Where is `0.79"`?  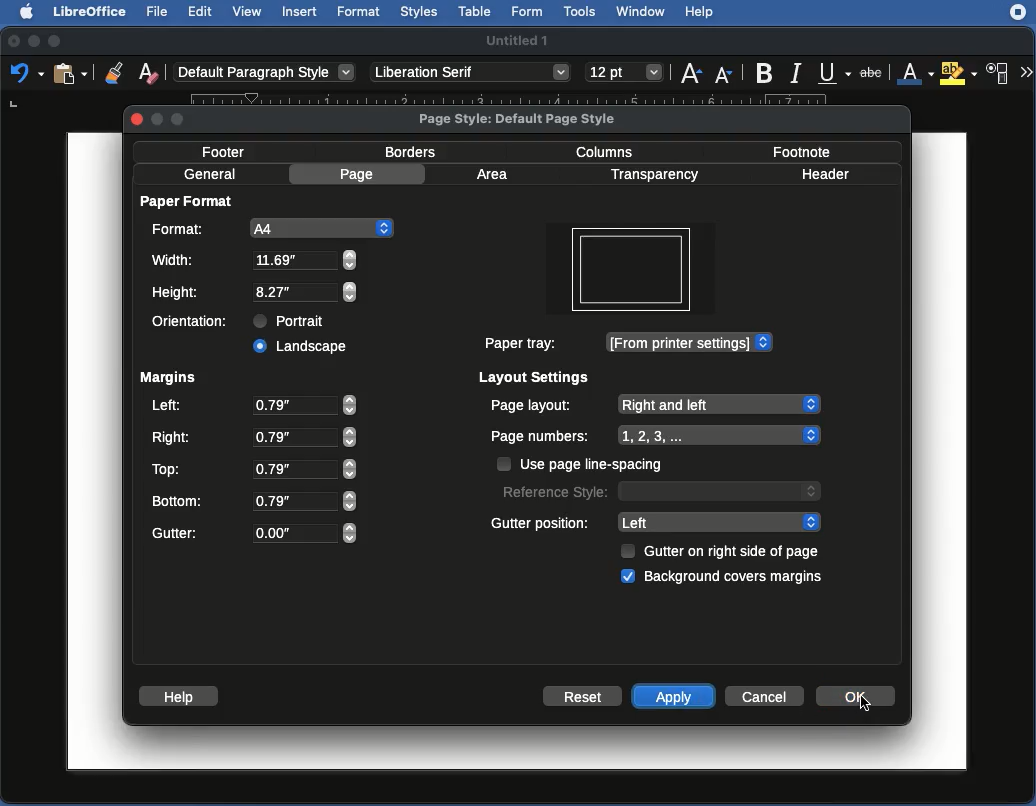 0.79" is located at coordinates (304, 500).